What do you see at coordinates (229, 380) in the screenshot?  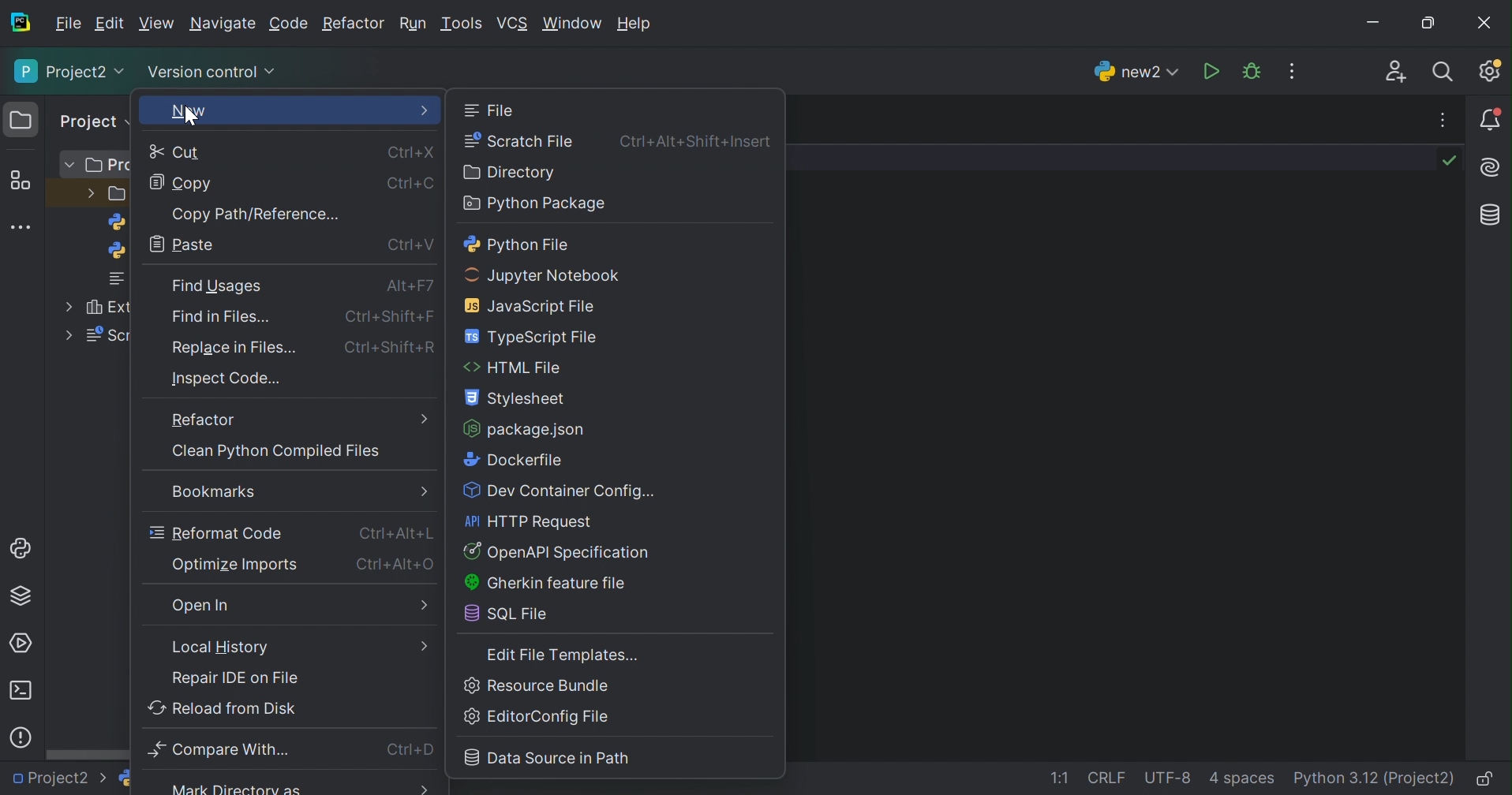 I see `Inspect code` at bounding box center [229, 380].